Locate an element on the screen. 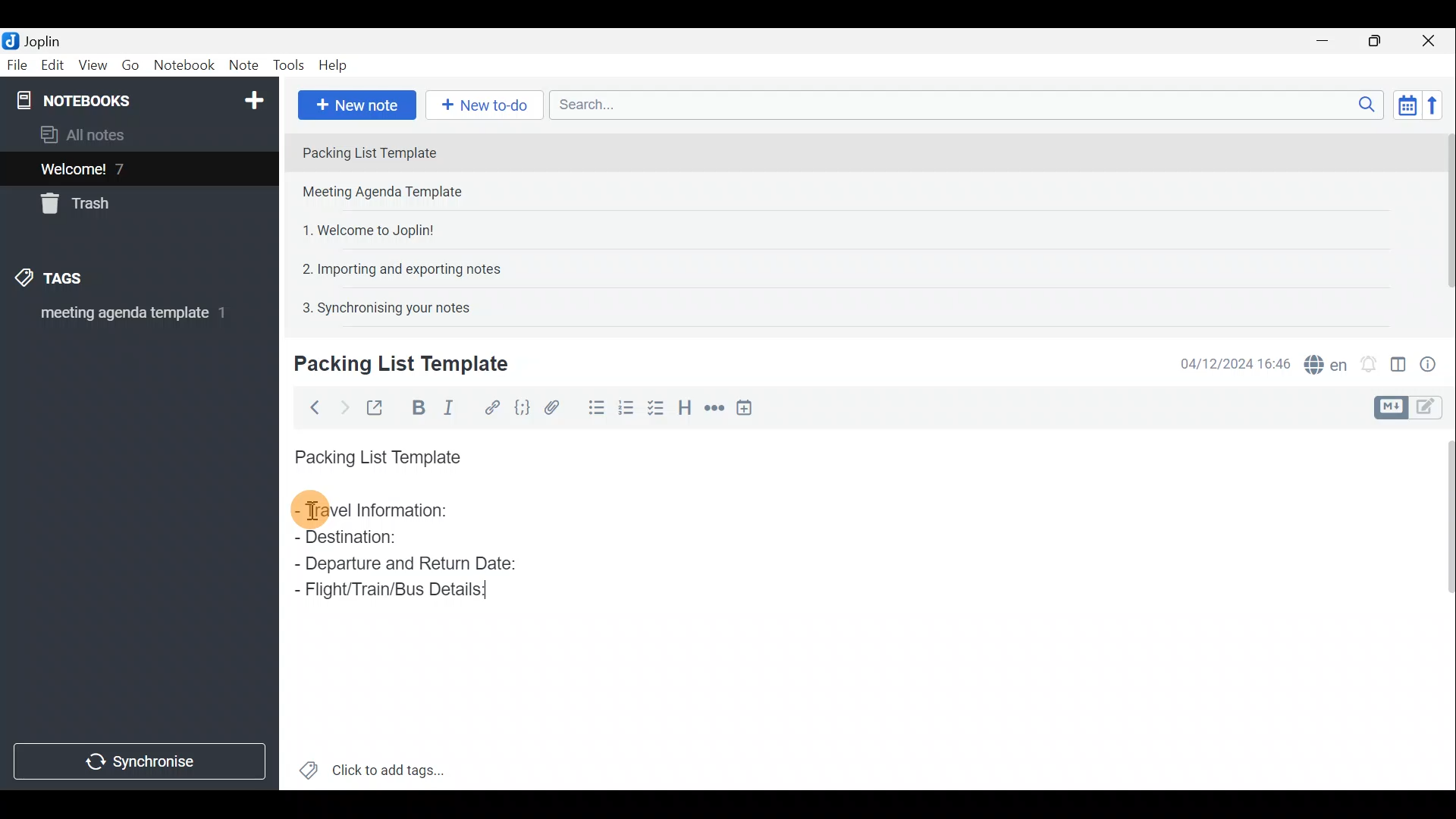 The width and height of the screenshot is (1456, 819). Note 5 is located at coordinates (380, 306).